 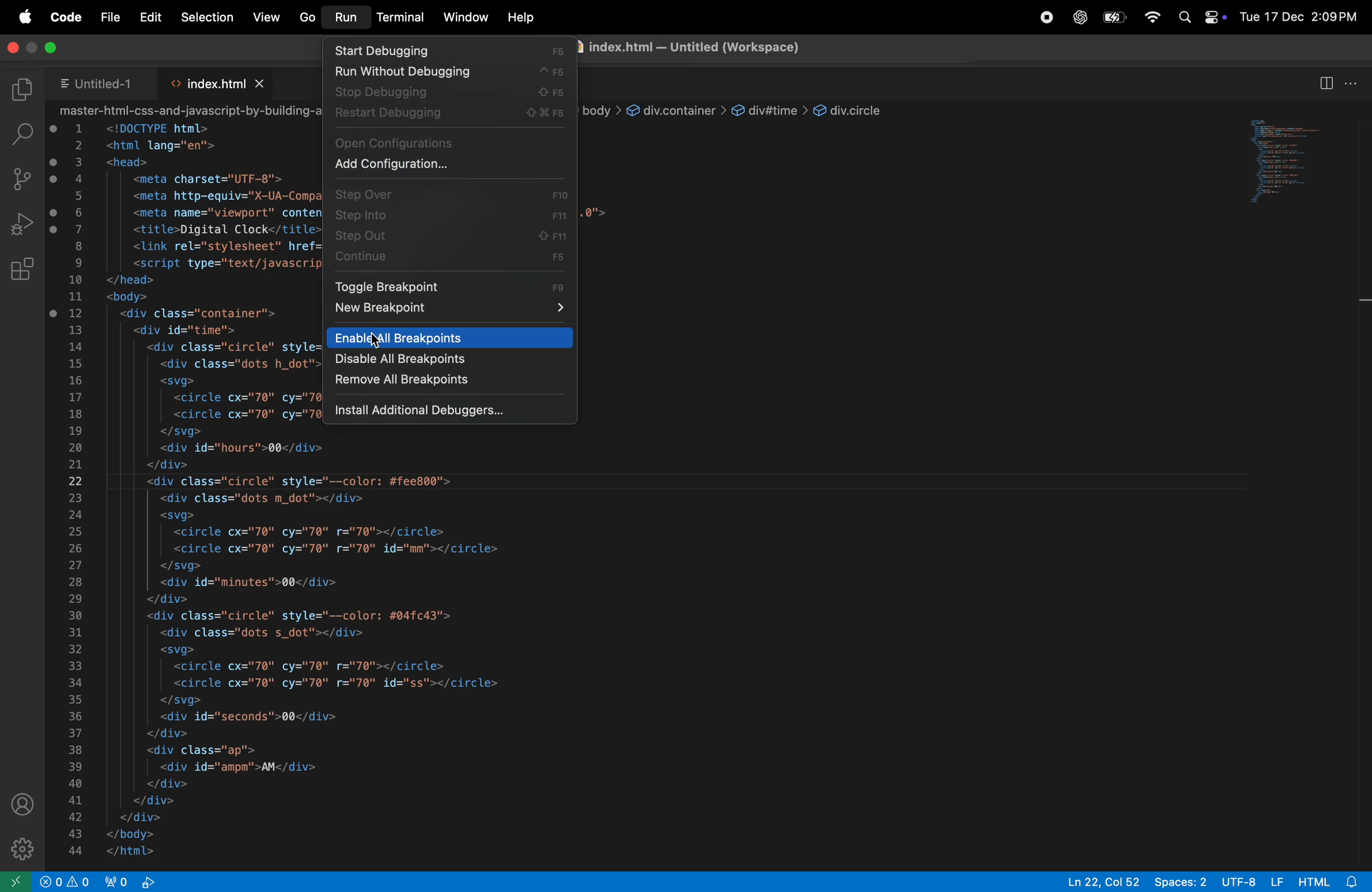 What do you see at coordinates (355, 644) in the screenshot?
I see `<html lang="en"><head><meta charset="UTF-8"><meta http-equiv="X-UA-Compatible" content="IE=edge'><meta name="viewport" content="width=device-width, initial-scale=1.0"><title>Digital Clock</title><link rel="stylesheet" href="styles.css"><script type="text/javascript" src="script.js"></script></head><body><div class="container"><div id="time"><div class="circle" style="--color: #ff2972"><div class="dots h_dot"></div><svg><circle cx="70" cy="70" r="70"></circle><circle cx="70" cy="70" r="70" id="hh"></circle></svg><div id="hours">00</div></div><div class="circle" style="--color: #fee800"><div class="dots m_dot"></div><svg><circle cx="70" cy="70" r="70"></circle><circle cx="70" cy="70" r="70" id="mm"></circle></svg><div id="minutes">00</div></div><div class="circle" style="--color: #04fc43"><div class="dots s_dot"></div><svg><circle cx="70" cy="70" r="70"></circle><circle cx="70" cy="70" r="70" id="ss"></circle></svg><div id="seconds">00</div></div><div class="ap"><div id="ampm">AM</div></div></div></div></body></html>` at bounding box center [355, 644].